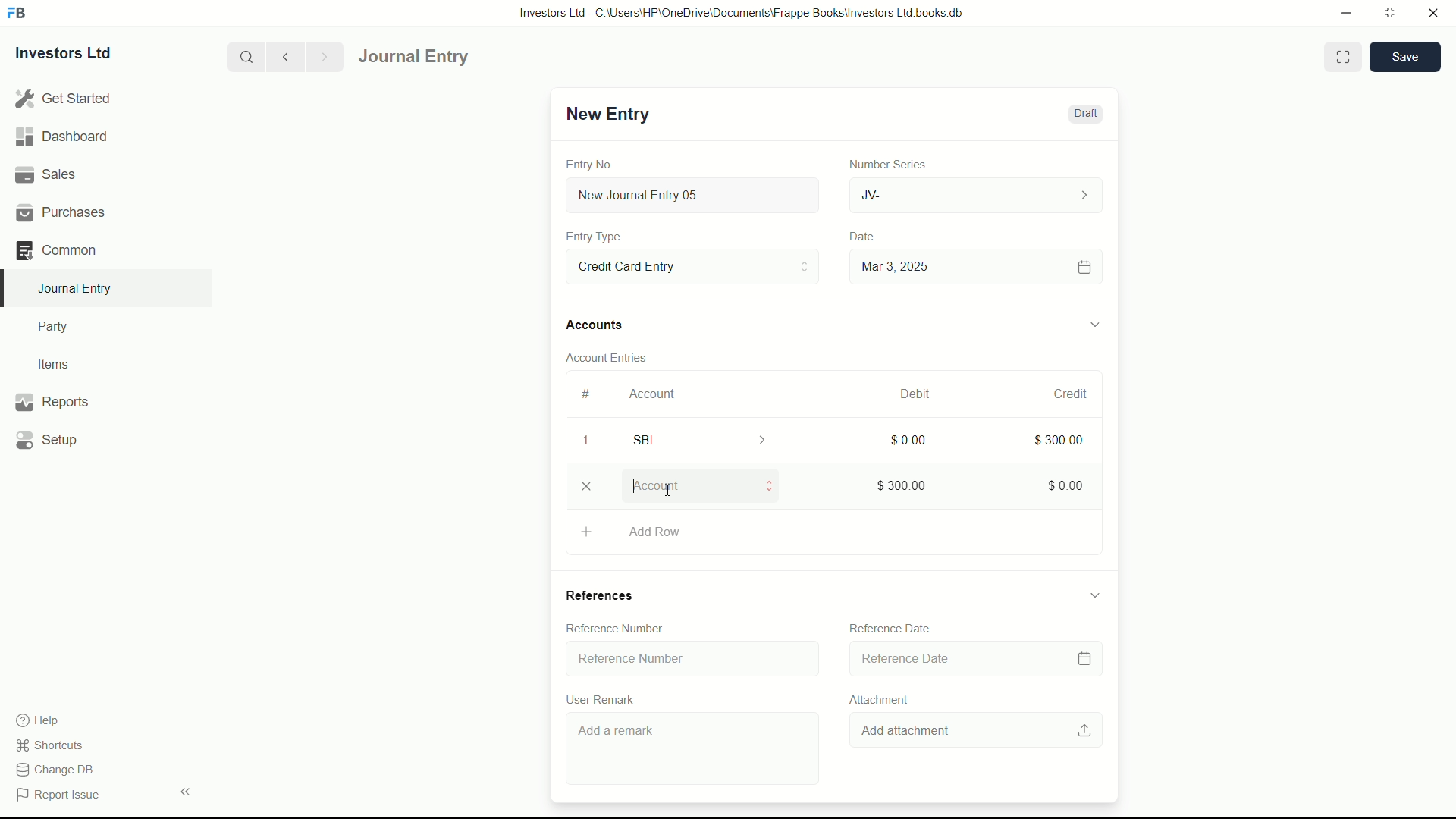  I want to click on Reference Number, so click(686, 655).